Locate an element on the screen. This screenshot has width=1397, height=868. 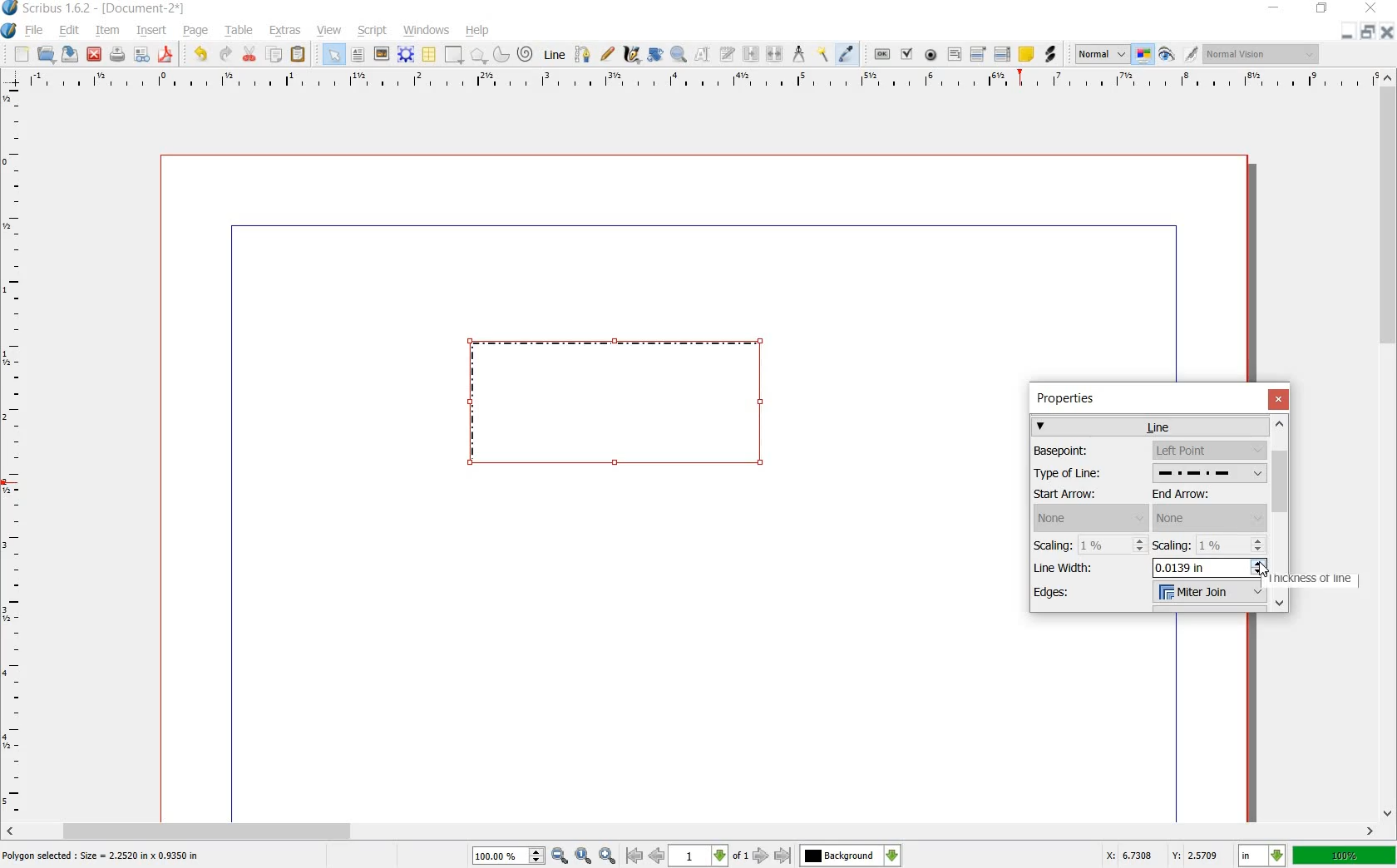
IMAGE is located at coordinates (382, 53).